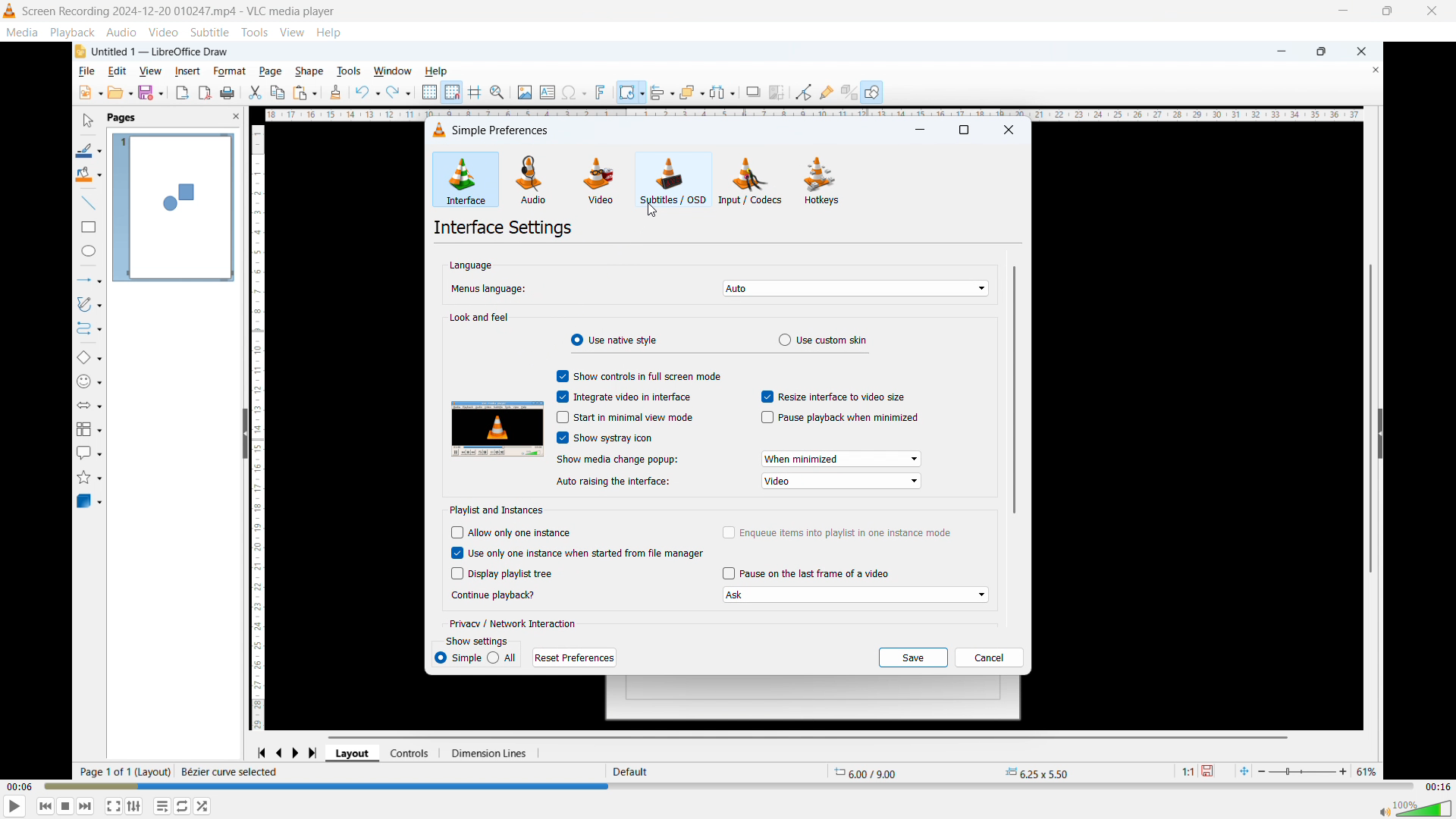  I want to click on Simple Preferences, so click(494, 130).